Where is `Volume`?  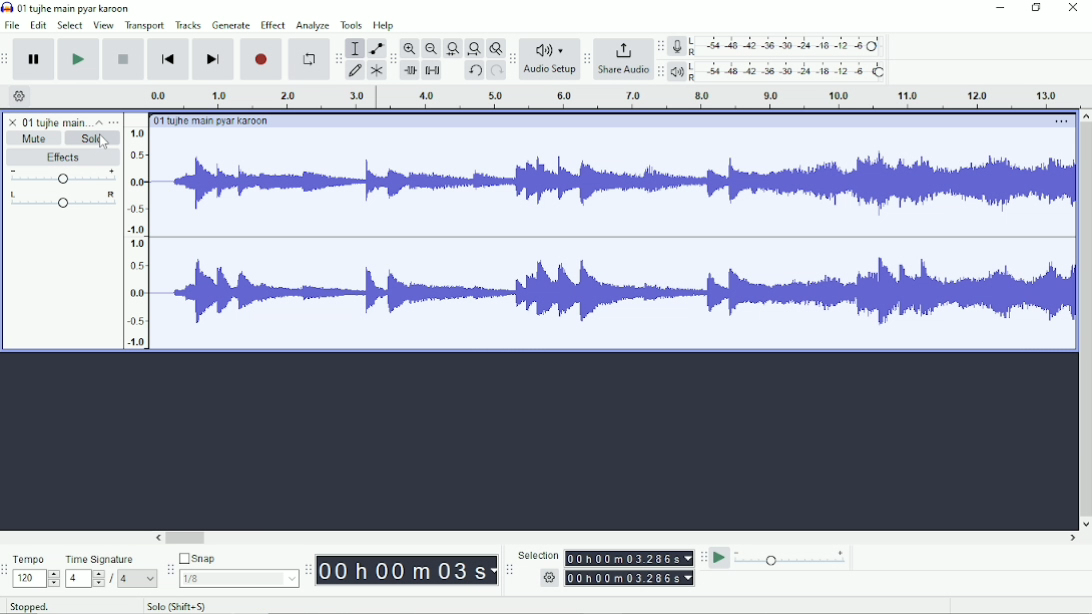 Volume is located at coordinates (62, 178).